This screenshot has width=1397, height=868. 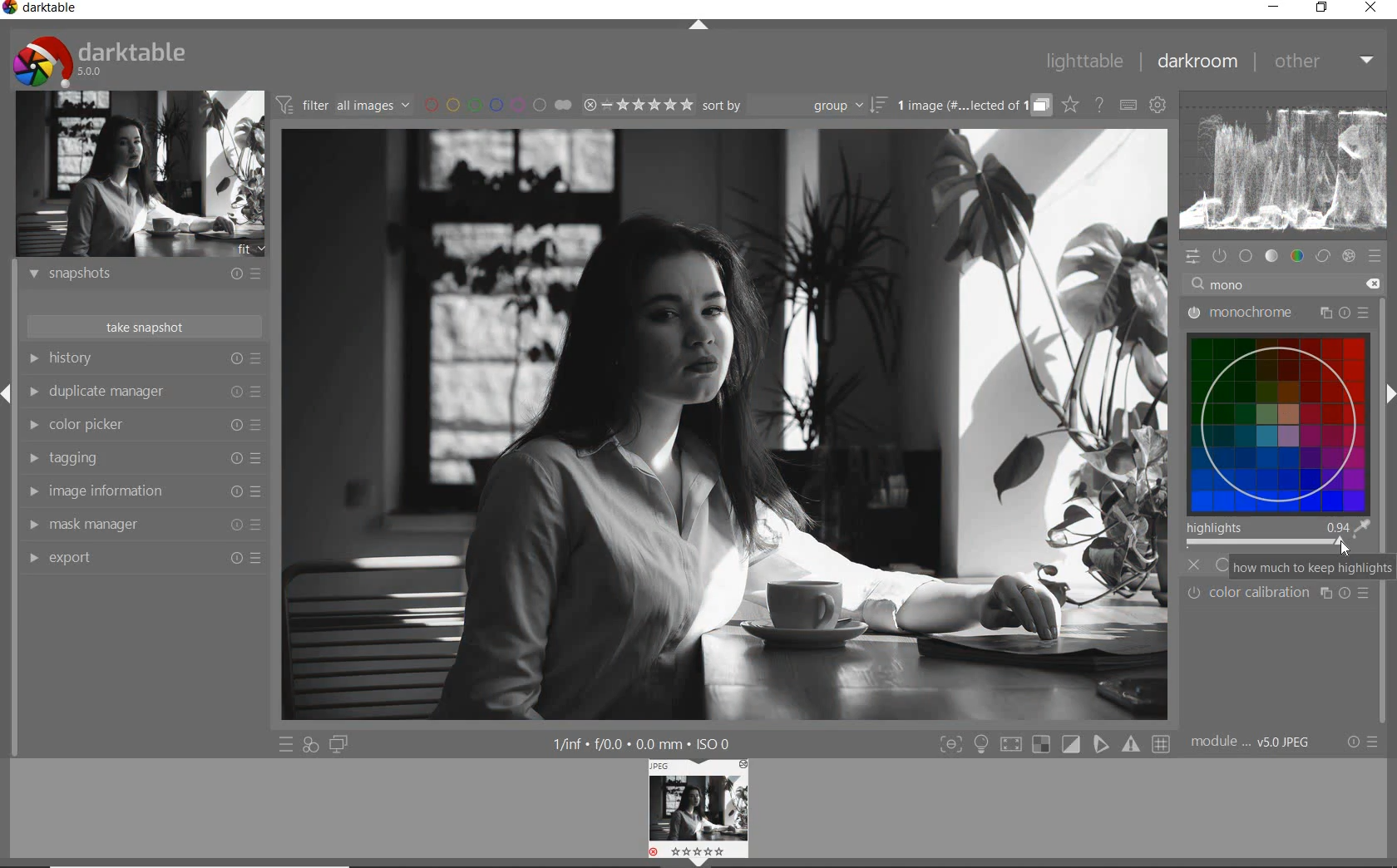 I want to click on reset or presets and preferences, so click(x=1360, y=742).